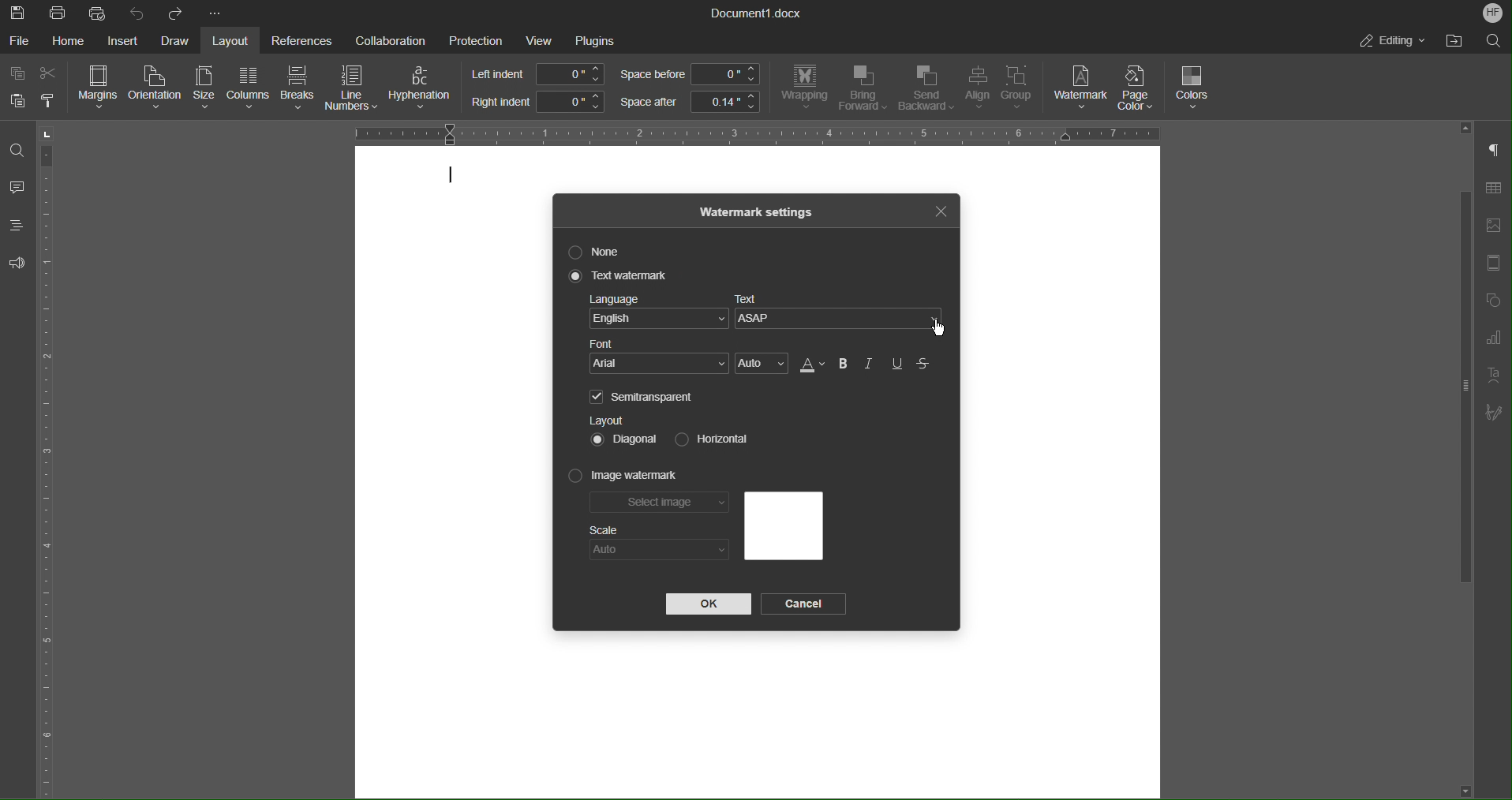 The image size is (1512, 800). Describe the element at coordinates (537, 102) in the screenshot. I see `Right indent` at that location.